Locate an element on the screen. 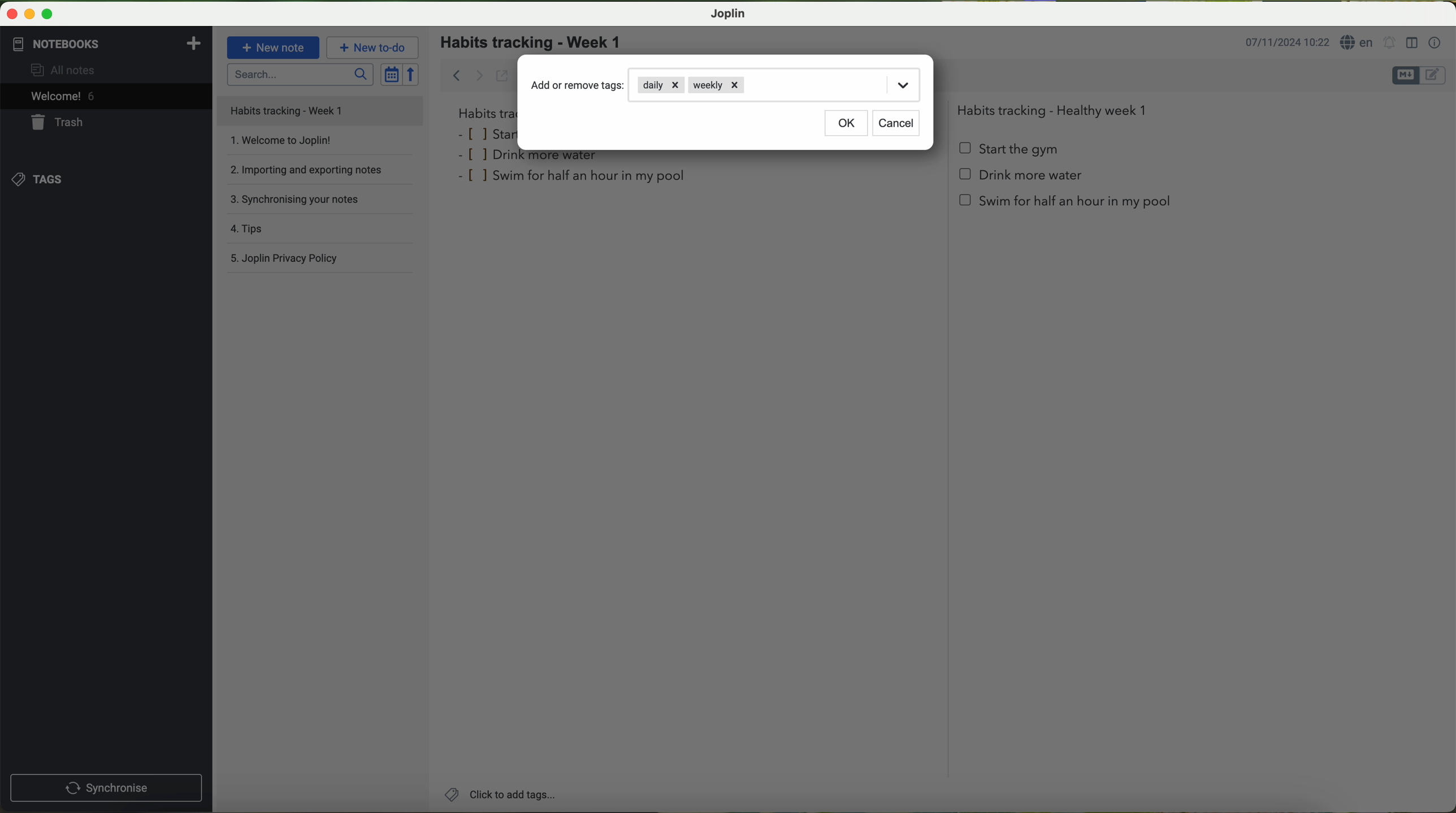  Joplin is located at coordinates (727, 14).